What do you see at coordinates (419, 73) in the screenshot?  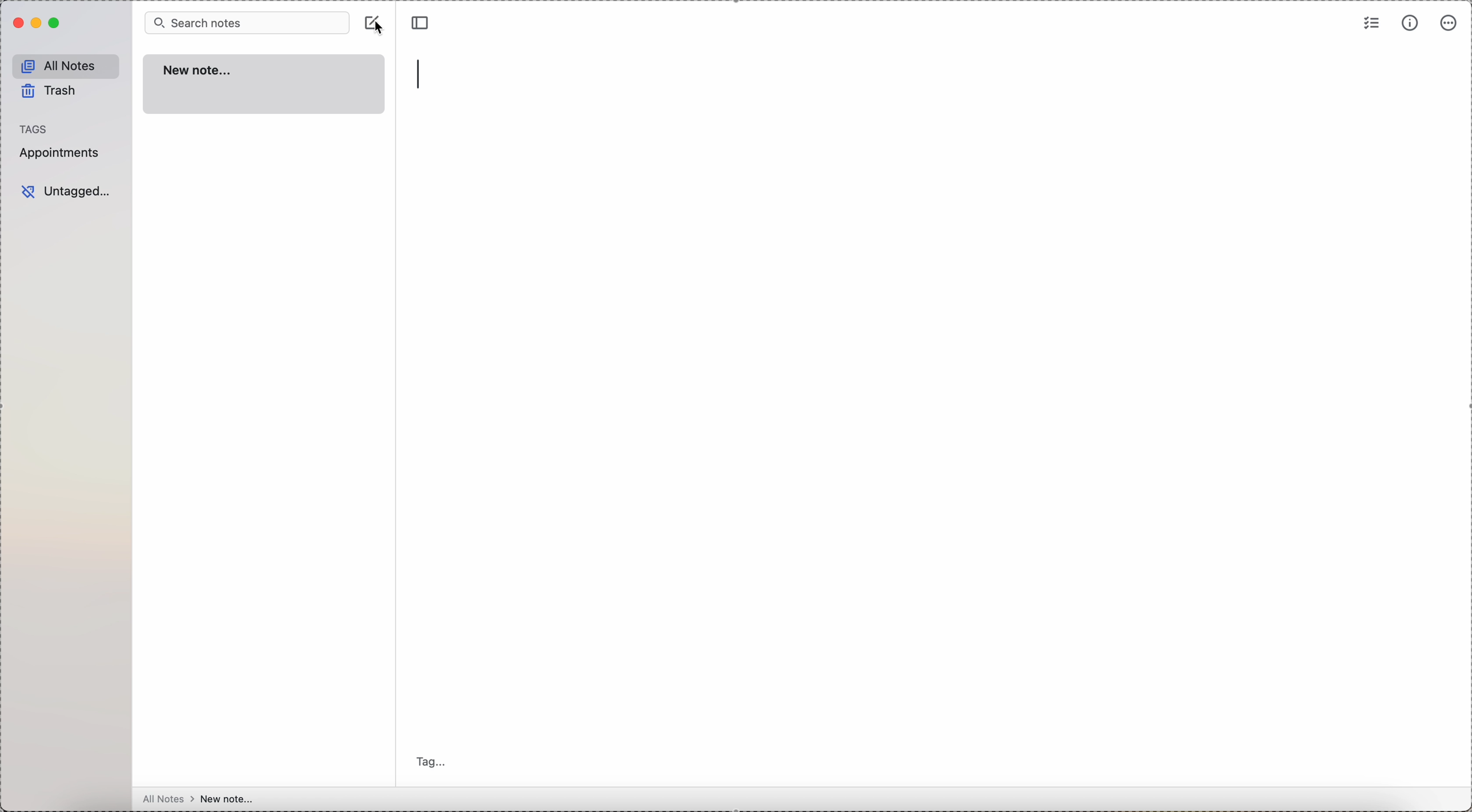 I see `type title` at bounding box center [419, 73].